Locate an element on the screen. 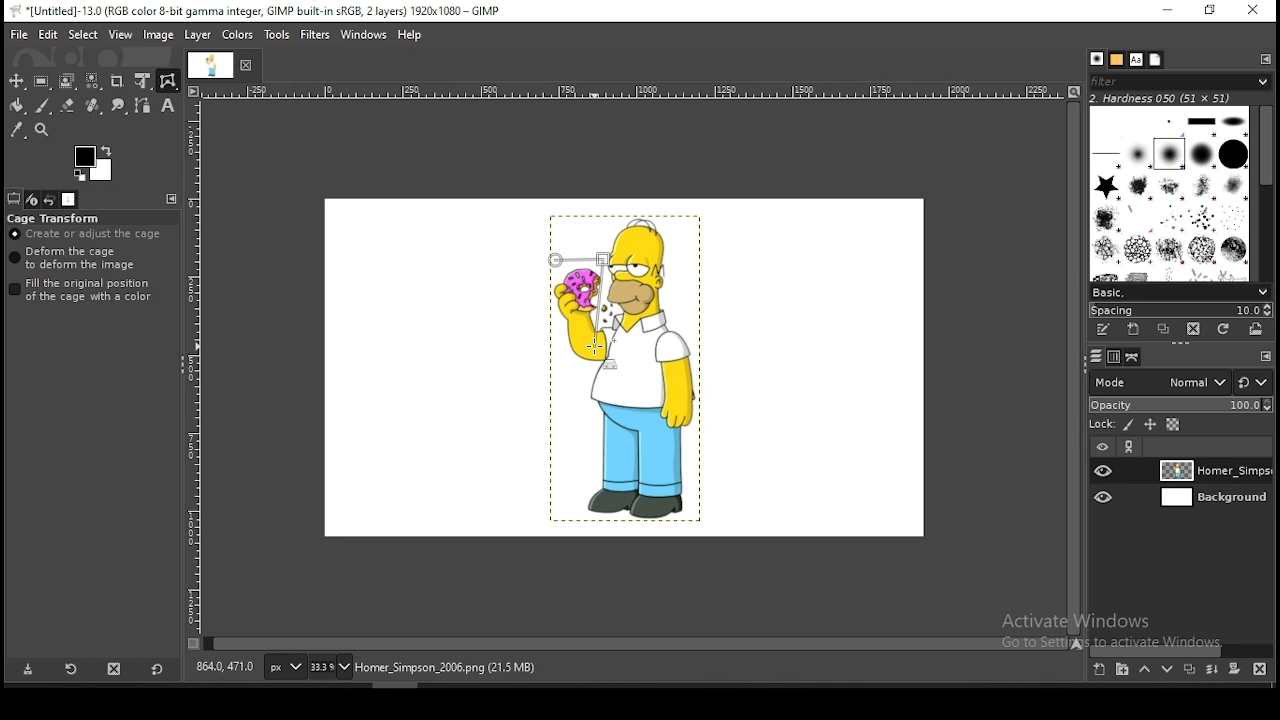 This screenshot has height=720, width=1280. 735.0, 195.0 is located at coordinates (225, 665).